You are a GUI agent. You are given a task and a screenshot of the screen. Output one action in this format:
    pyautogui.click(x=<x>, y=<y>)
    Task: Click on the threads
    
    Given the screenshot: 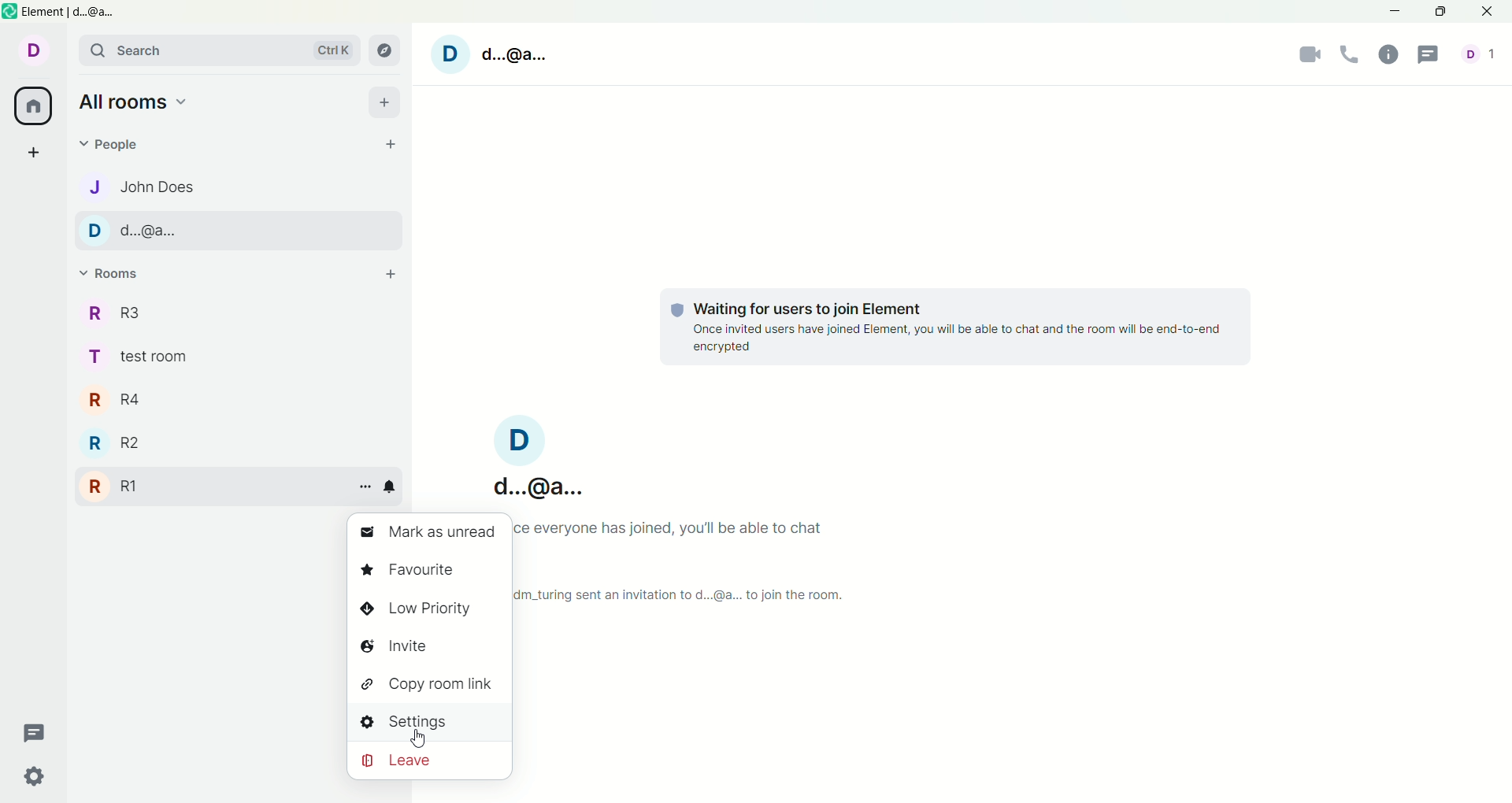 What is the action you would take?
    pyautogui.click(x=31, y=733)
    